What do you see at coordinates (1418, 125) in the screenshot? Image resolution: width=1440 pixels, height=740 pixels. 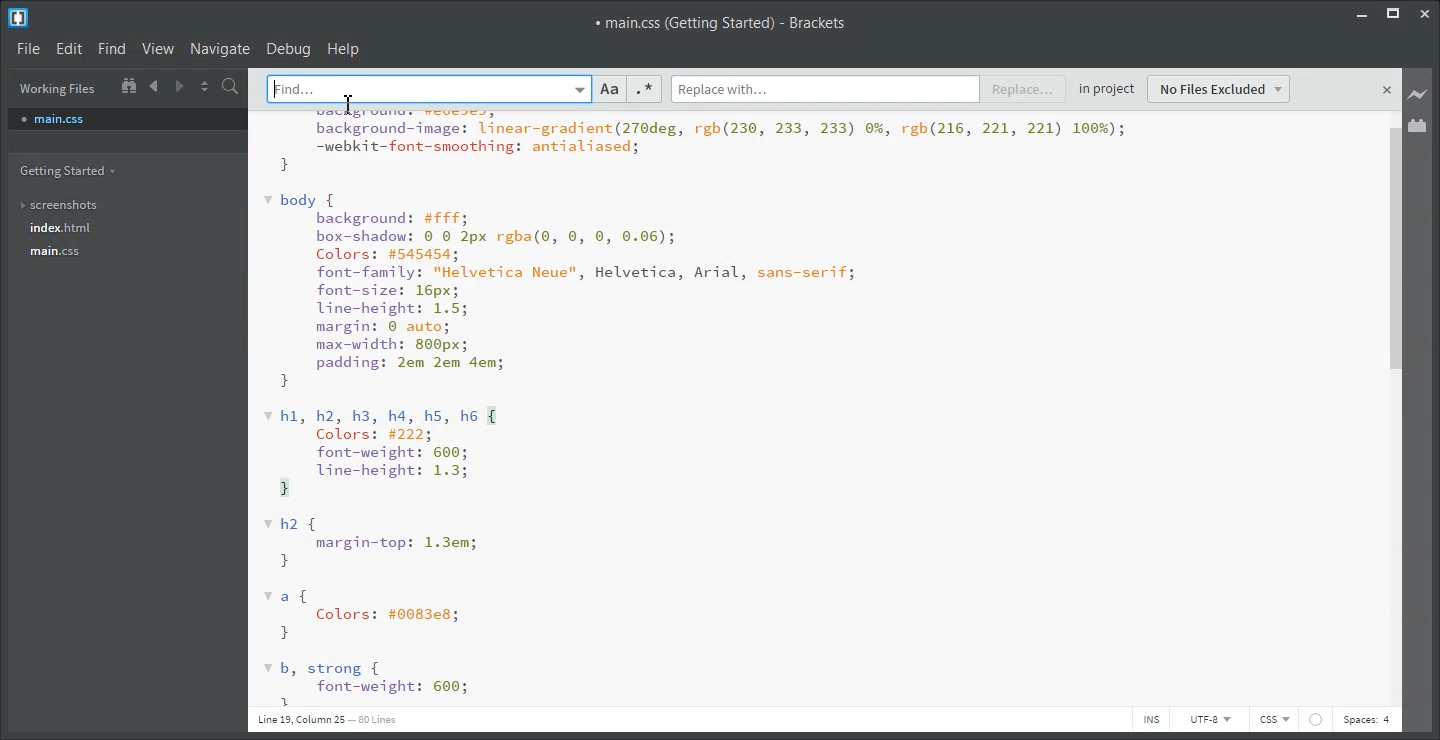 I see `Extension Manager` at bounding box center [1418, 125].